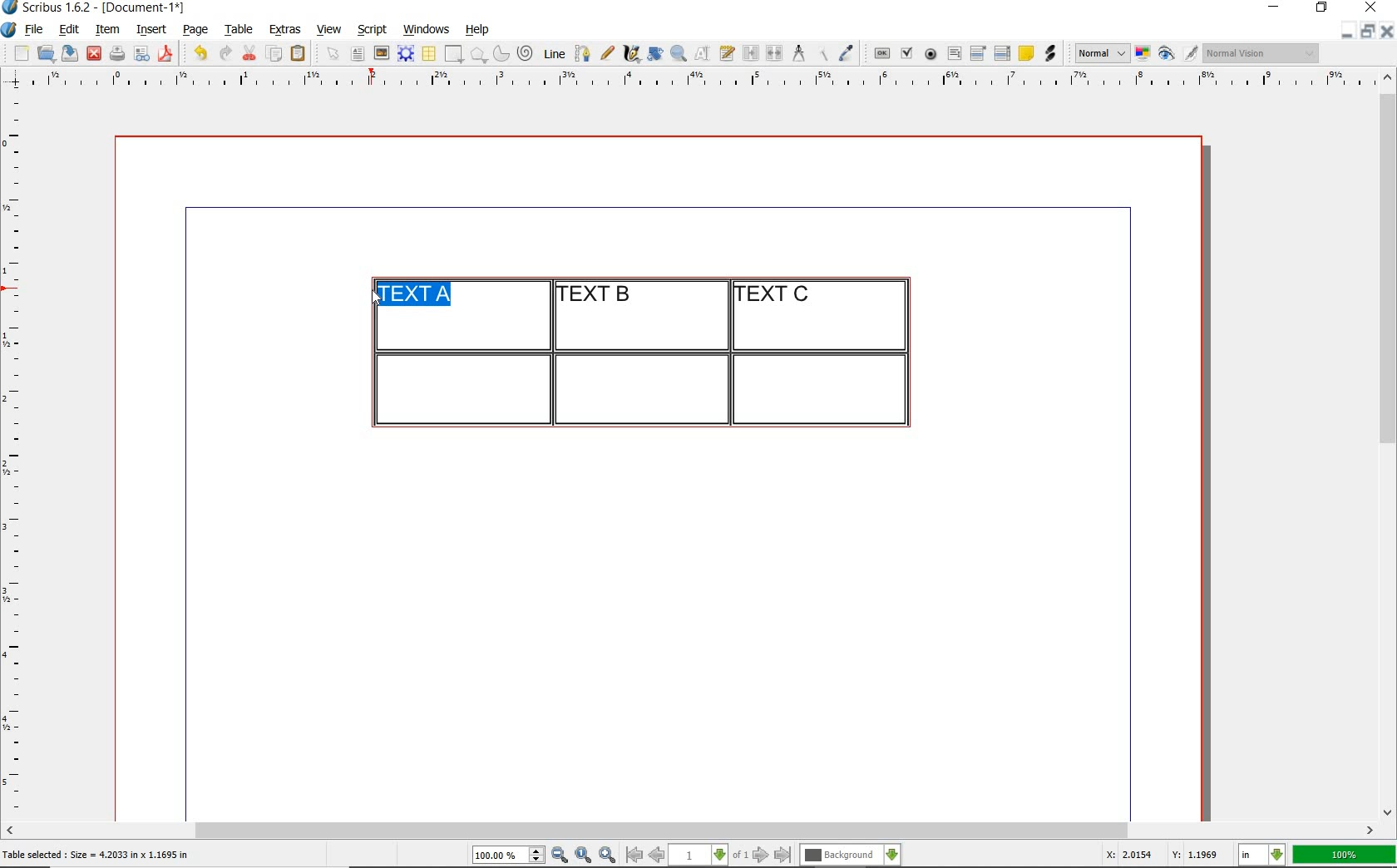 This screenshot has width=1397, height=868. What do you see at coordinates (526, 53) in the screenshot?
I see `spiral` at bounding box center [526, 53].